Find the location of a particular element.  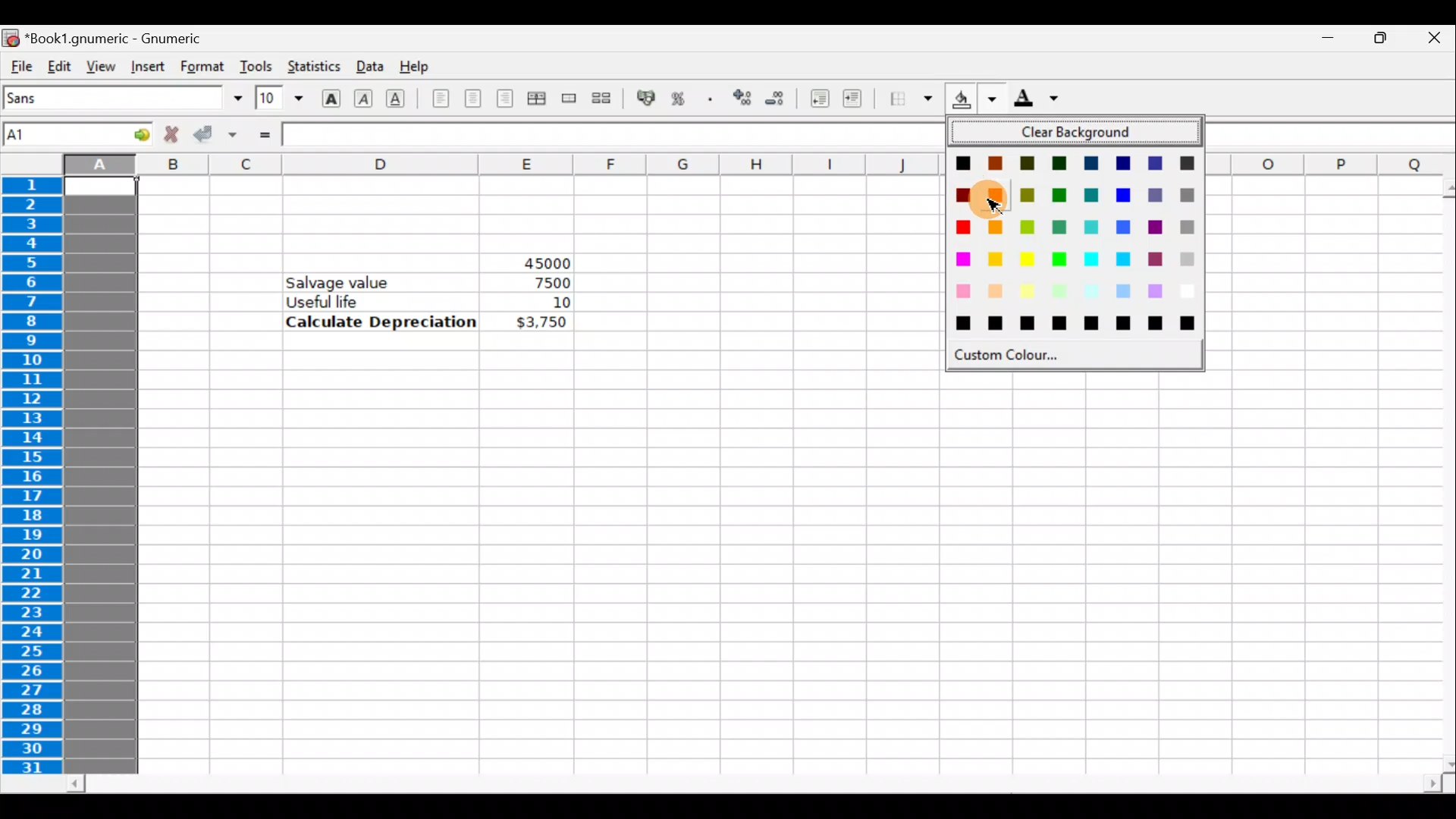

Format is located at coordinates (204, 66).